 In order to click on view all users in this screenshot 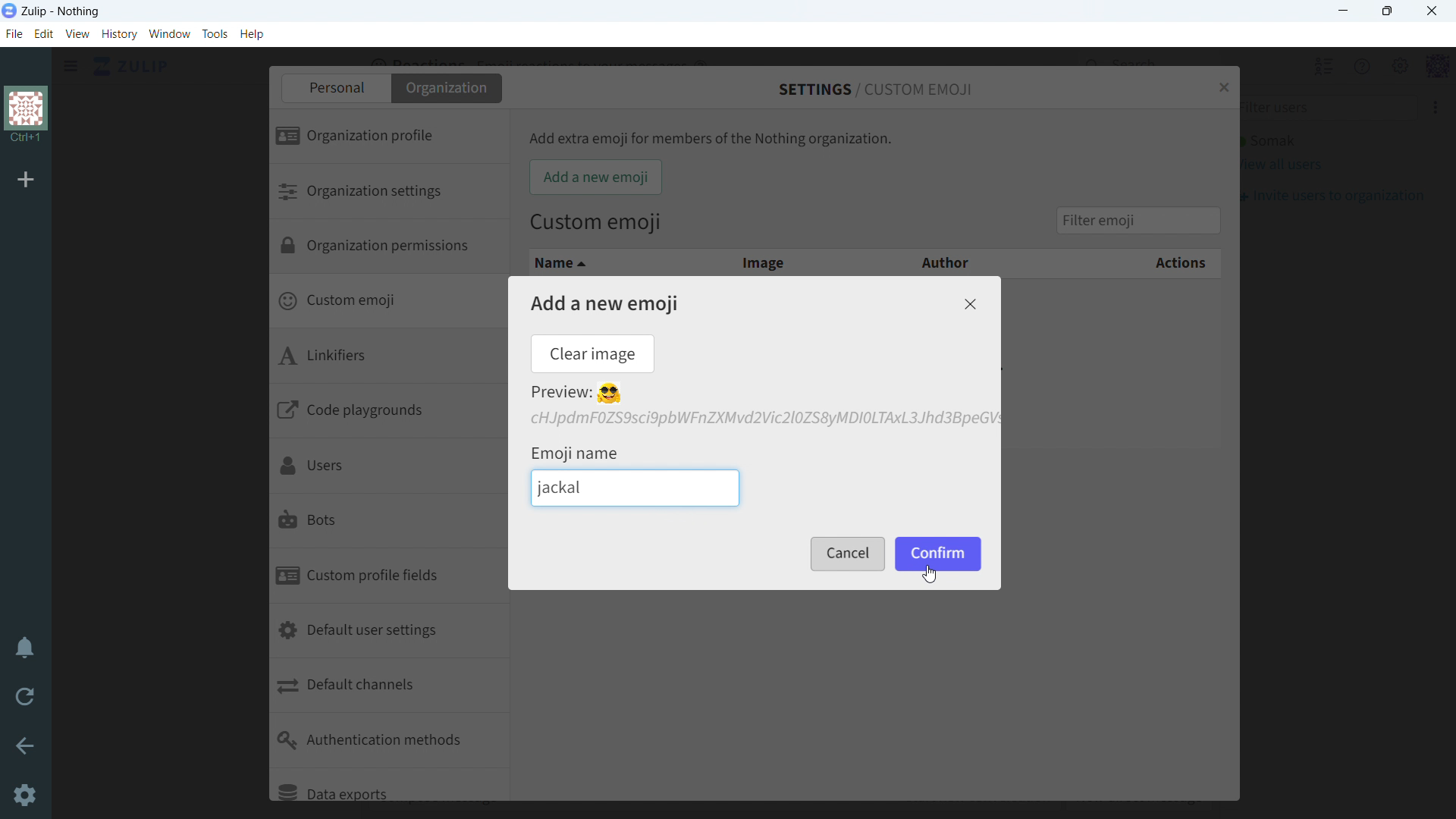, I will do `click(1281, 165)`.